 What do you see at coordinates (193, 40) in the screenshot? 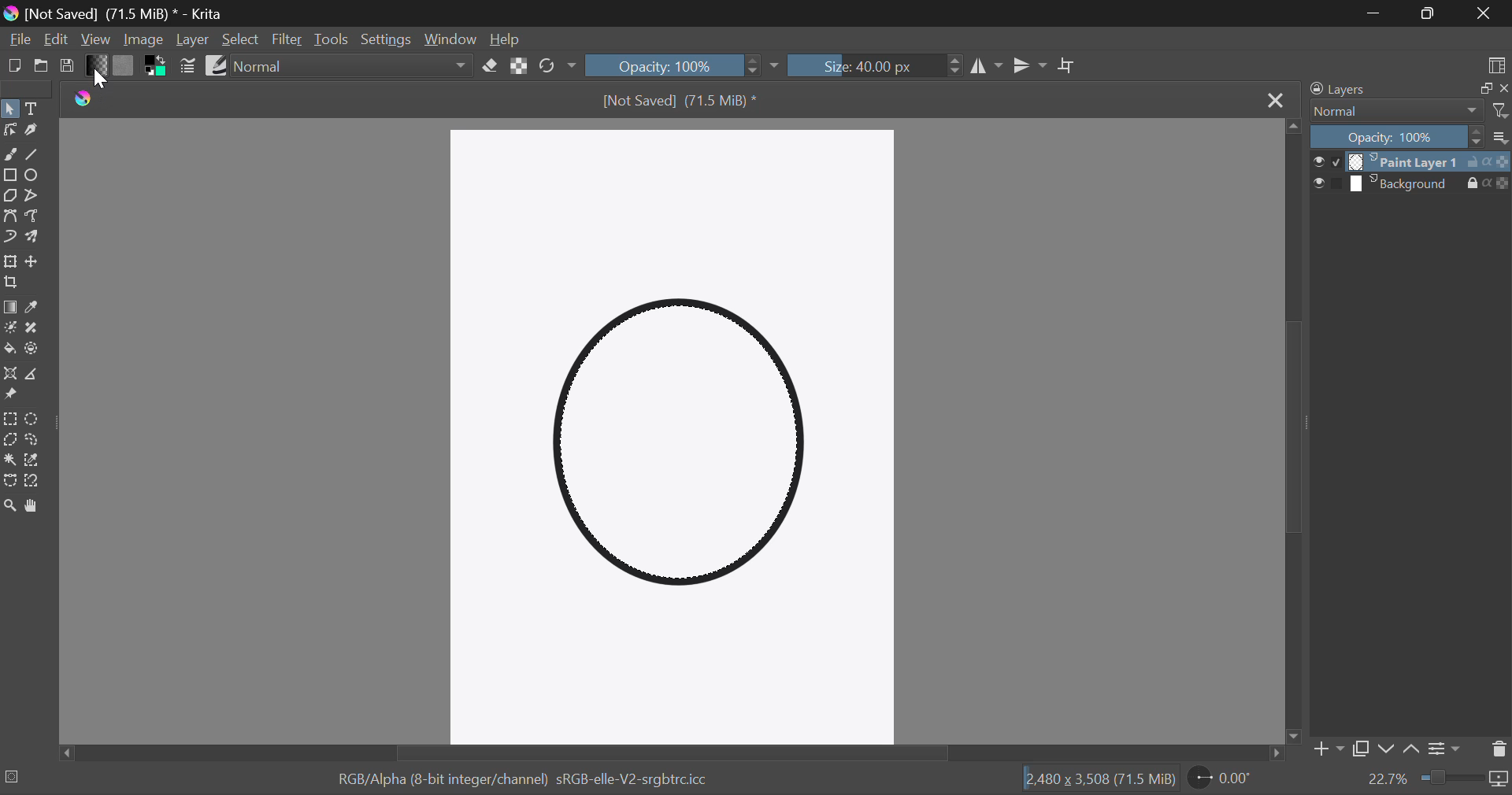
I see `Layer` at bounding box center [193, 40].